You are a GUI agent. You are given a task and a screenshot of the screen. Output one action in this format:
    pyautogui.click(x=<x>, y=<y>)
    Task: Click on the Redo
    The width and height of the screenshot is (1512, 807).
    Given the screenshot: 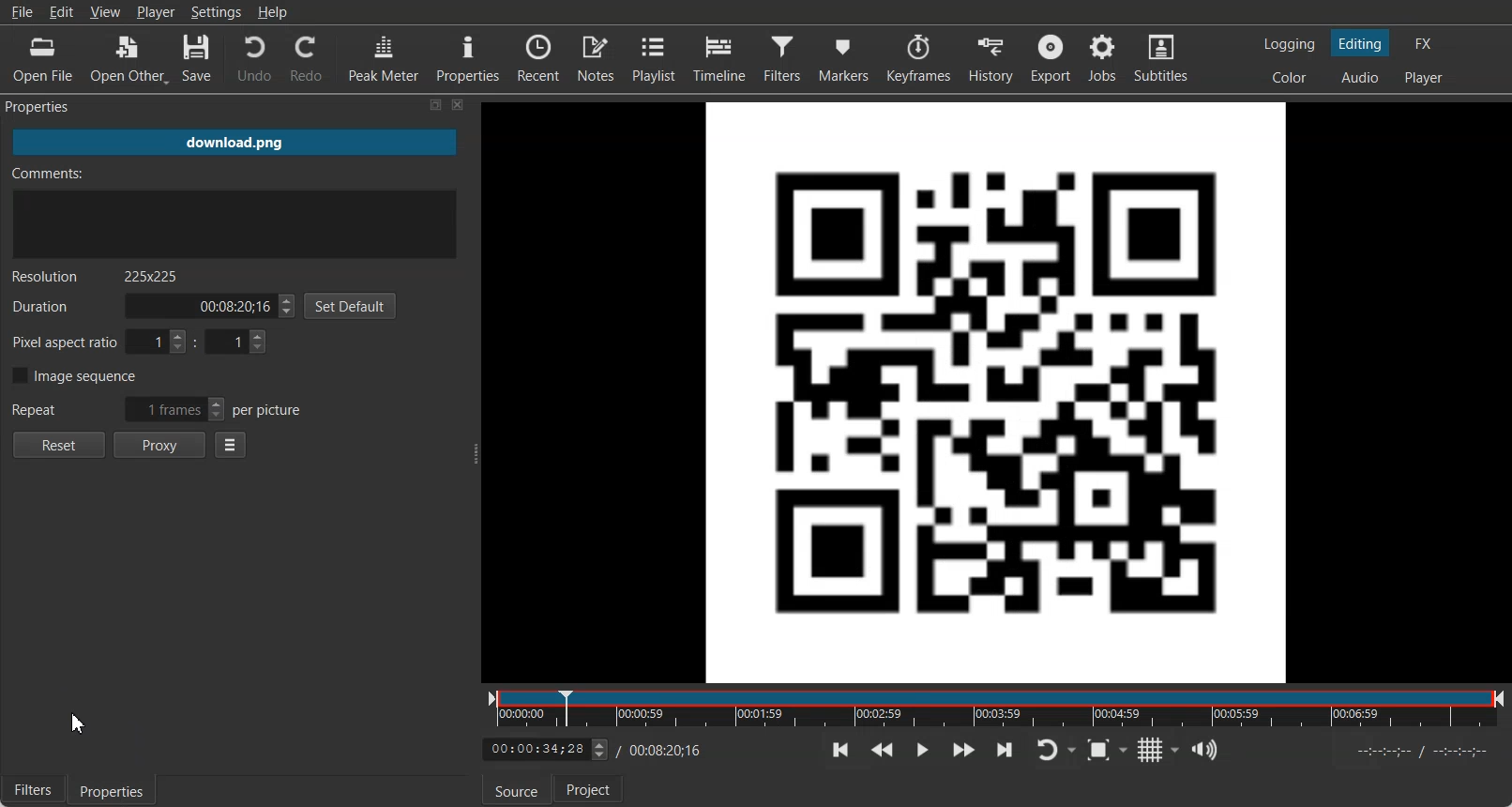 What is the action you would take?
    pyautogui.click(x=307, y=58)
    